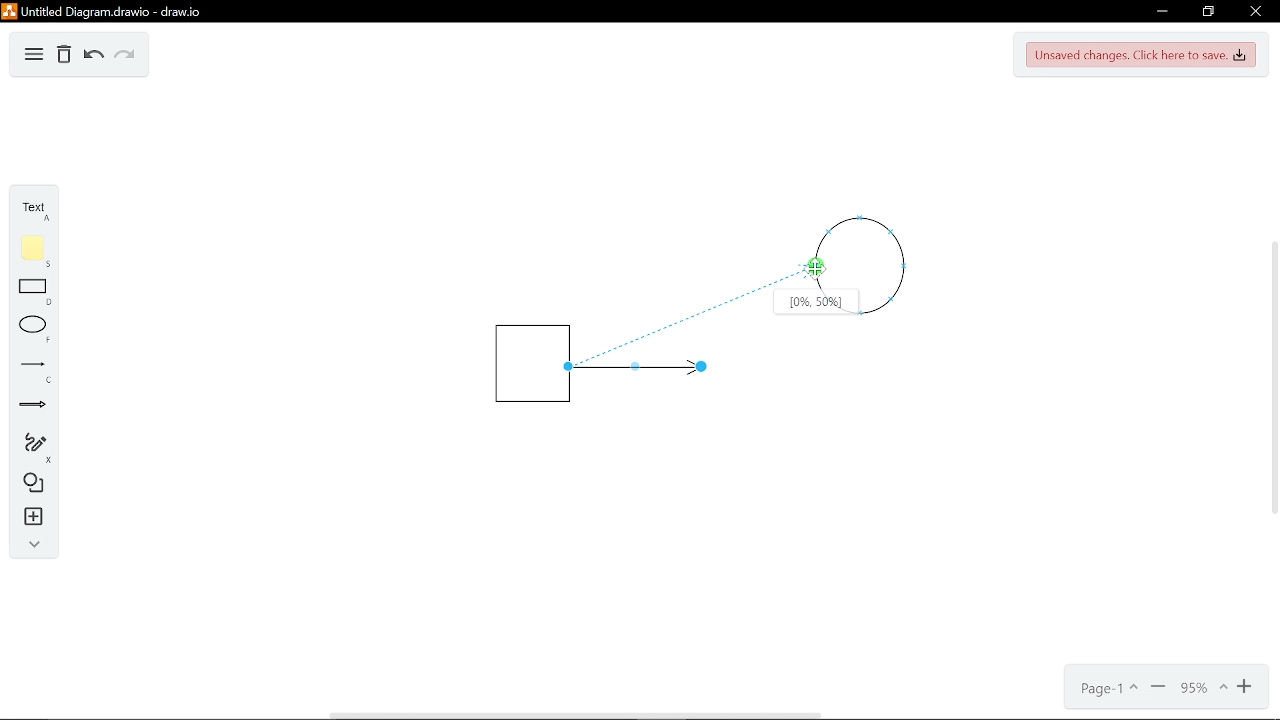 The image size is (1280, 720). Describe the element at coordinates (643, 375) in the screenshot. I see `Line arrow insterted` at that location.